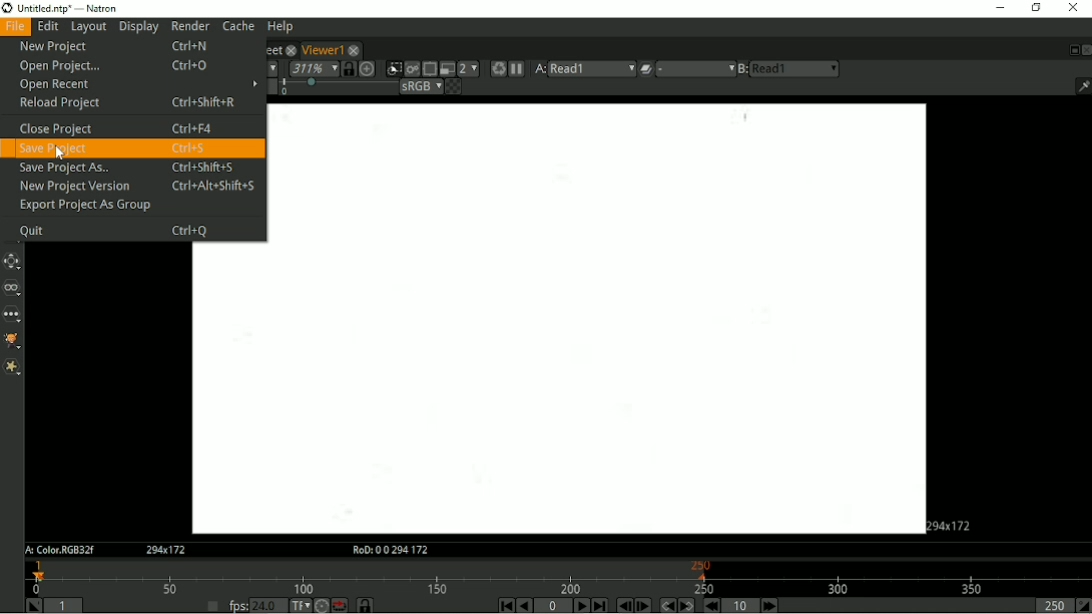 This screenshot has height=614, width=1092. Describe the element at coordinates (118, 127) in the screenshot. I see `Close Project` at that location.